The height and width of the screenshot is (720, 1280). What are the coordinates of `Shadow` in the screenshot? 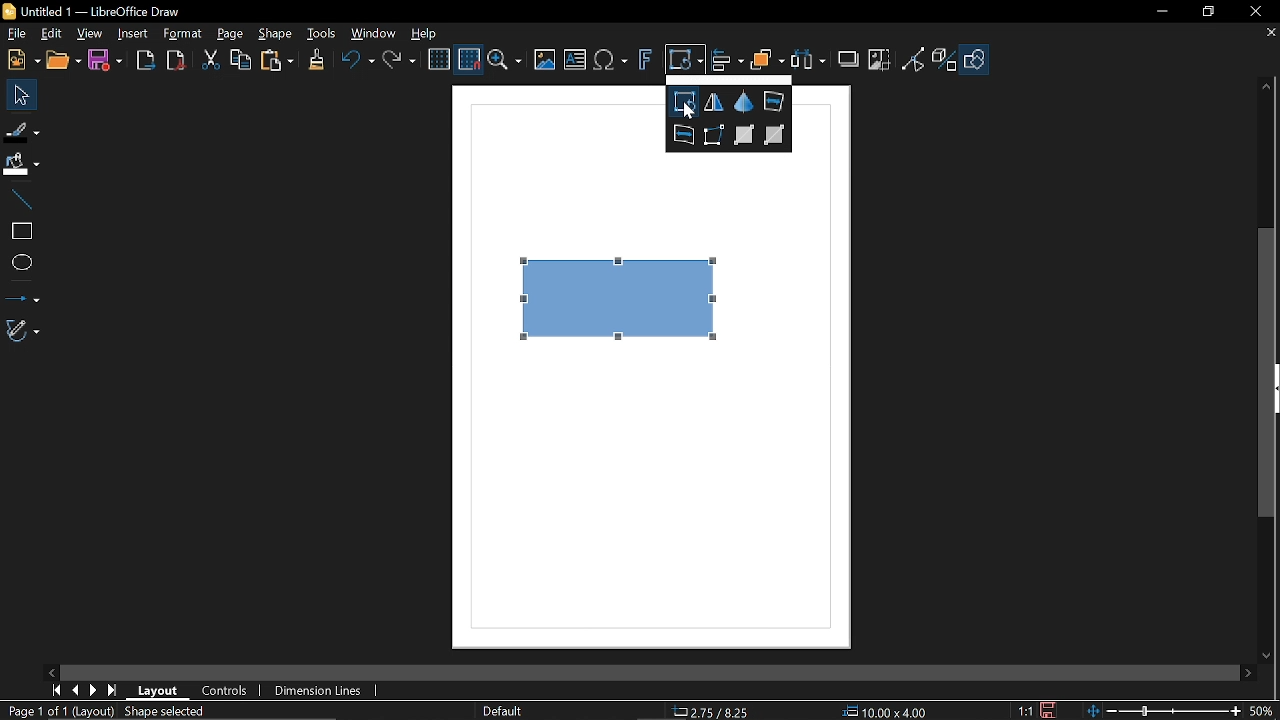 It's located at (850, 57).